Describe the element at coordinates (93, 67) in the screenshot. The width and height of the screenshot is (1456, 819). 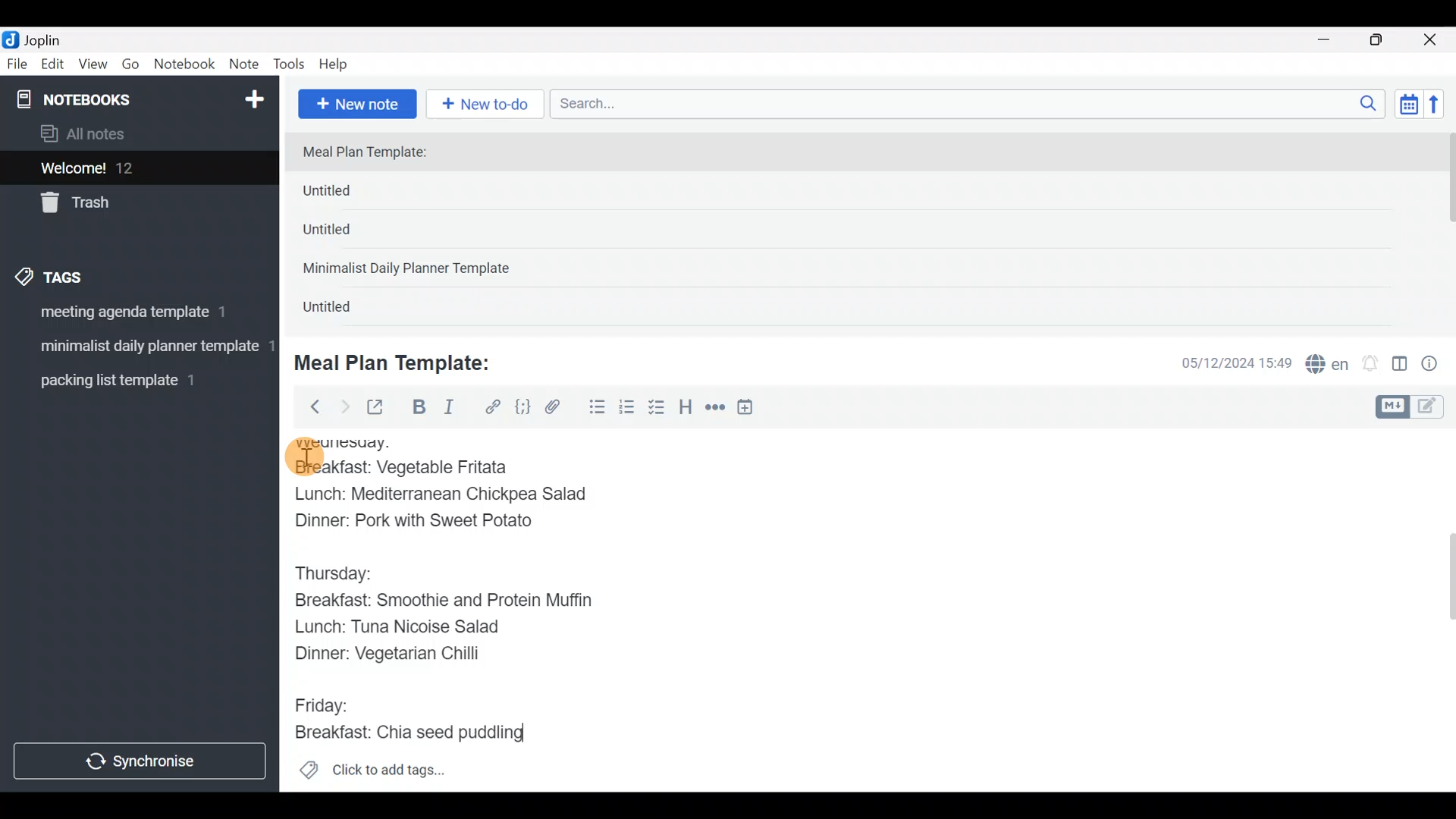
I see `View` at that location.